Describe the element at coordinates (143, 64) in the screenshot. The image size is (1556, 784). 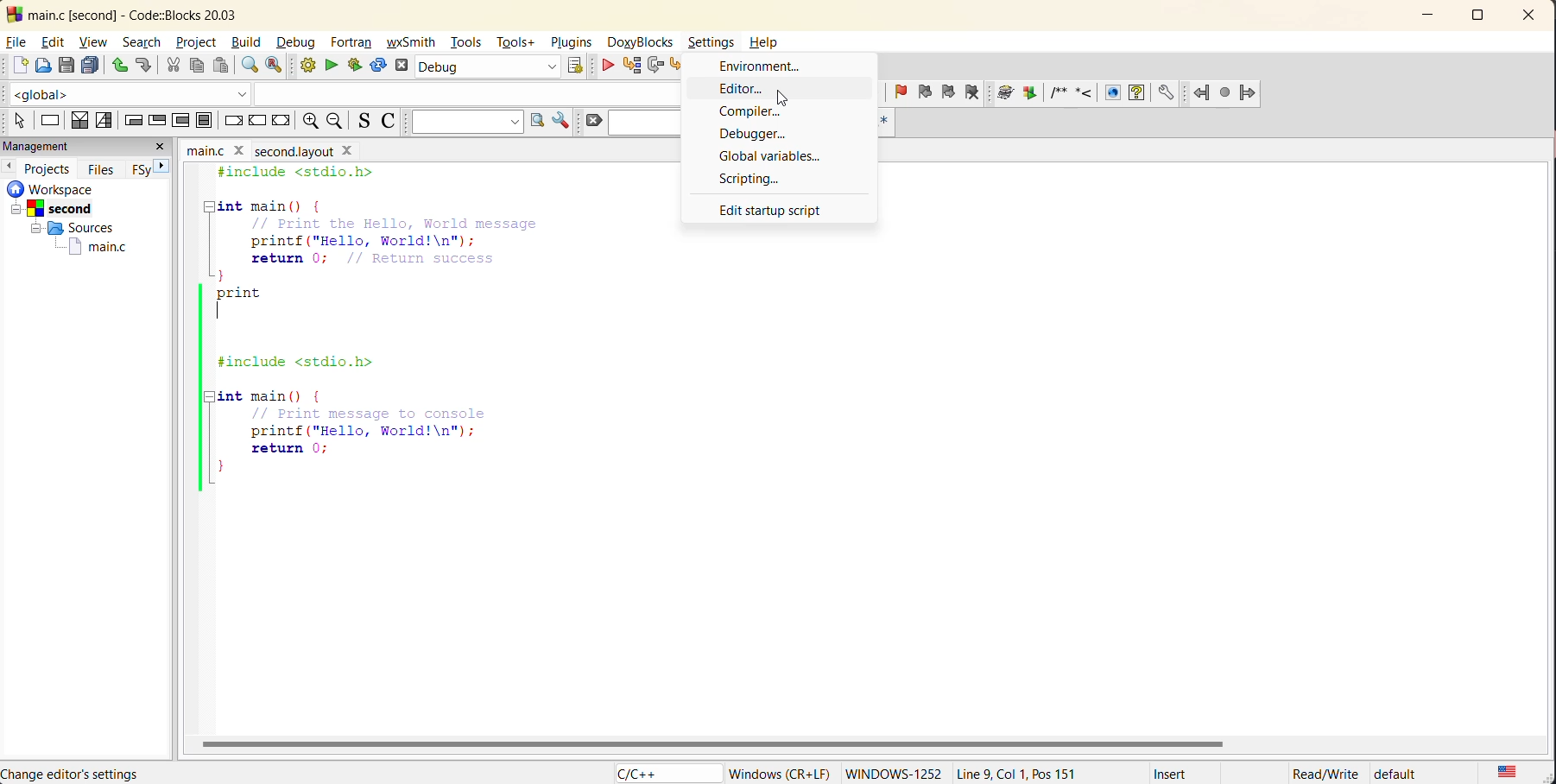
I see `redo` at that location.